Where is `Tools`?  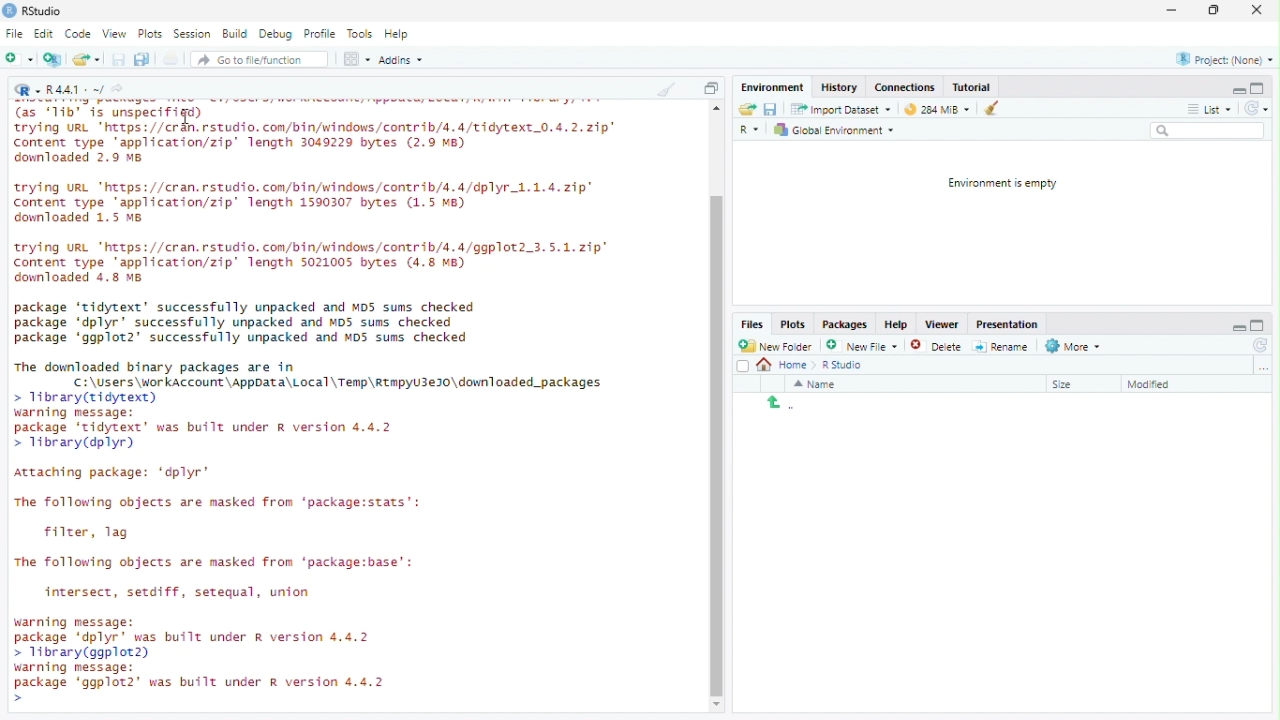 Tools is located at coordinates (360, 34).